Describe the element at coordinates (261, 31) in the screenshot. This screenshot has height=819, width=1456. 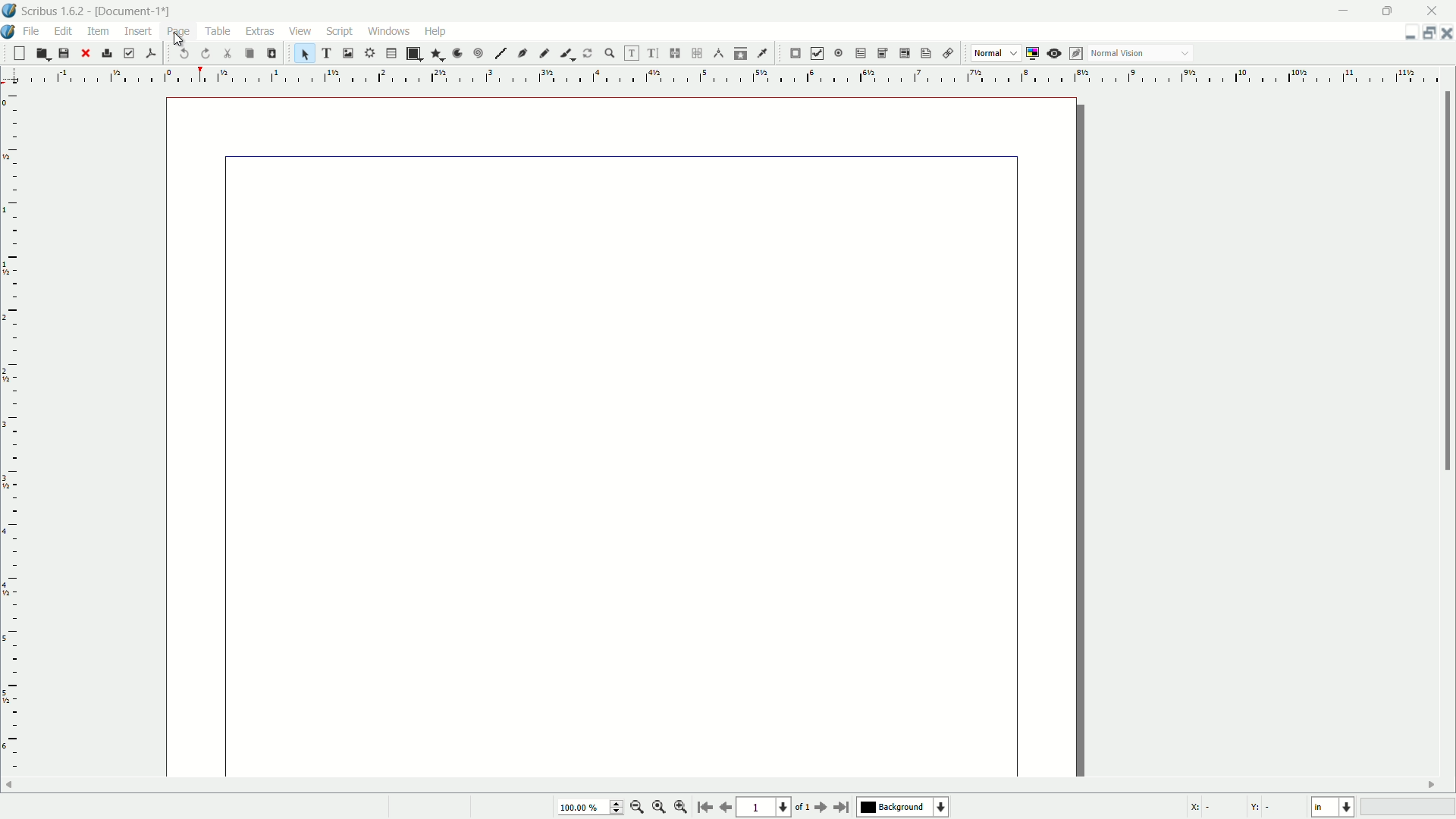
I see `extras menu` at that location.